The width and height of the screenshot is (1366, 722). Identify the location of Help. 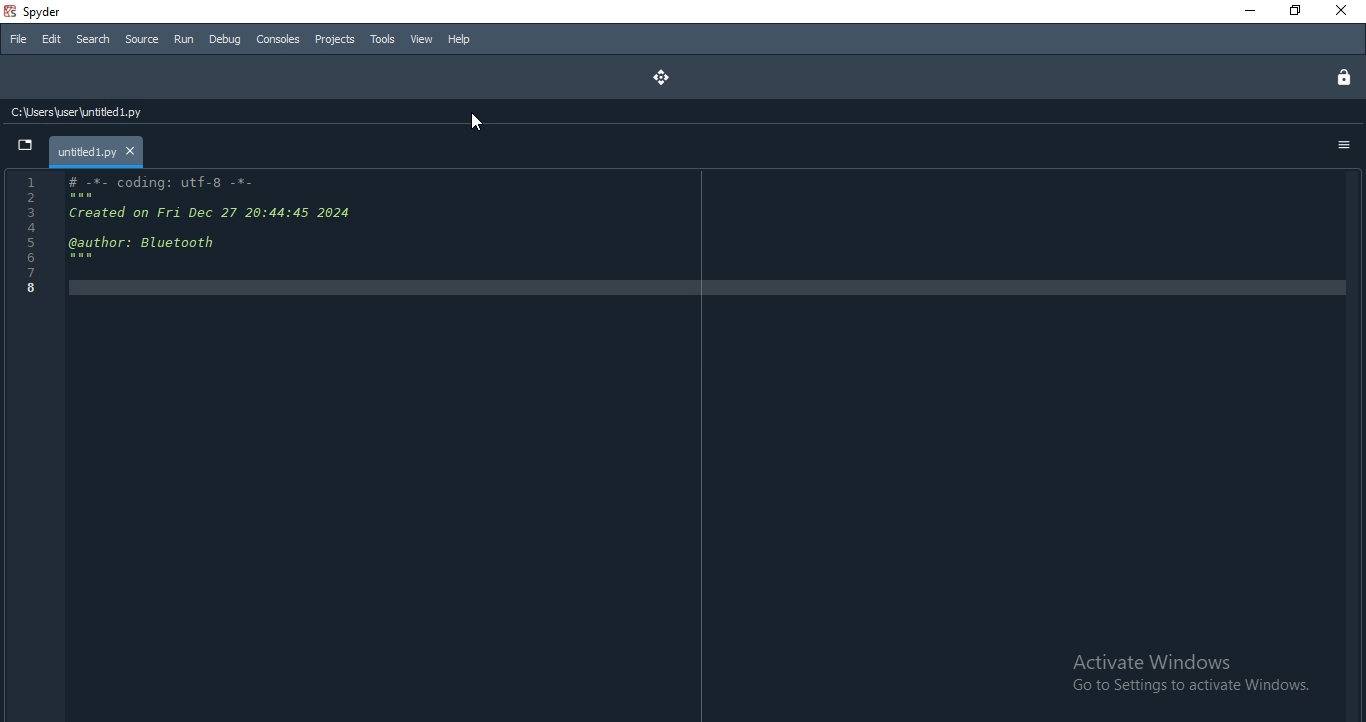
(459, 39).